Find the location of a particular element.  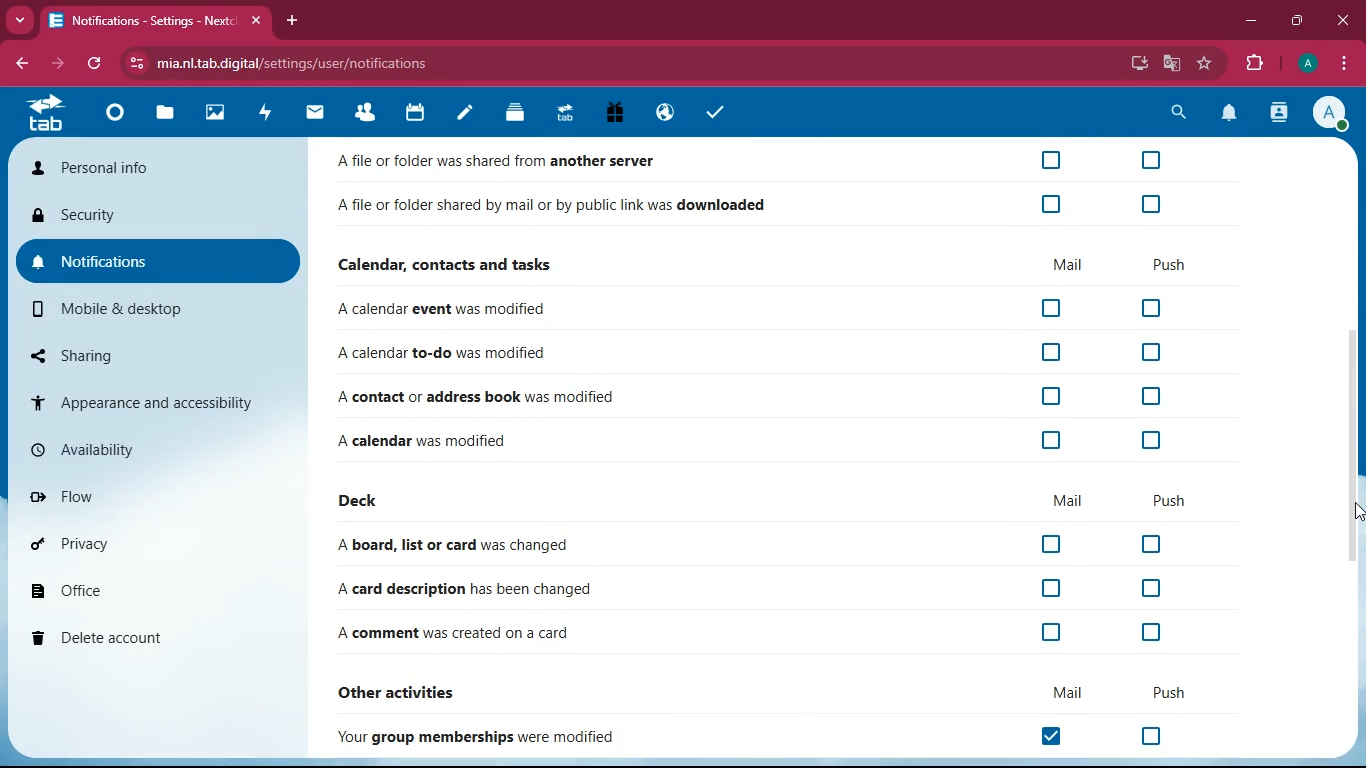

public is located at coordinates (663, 114).